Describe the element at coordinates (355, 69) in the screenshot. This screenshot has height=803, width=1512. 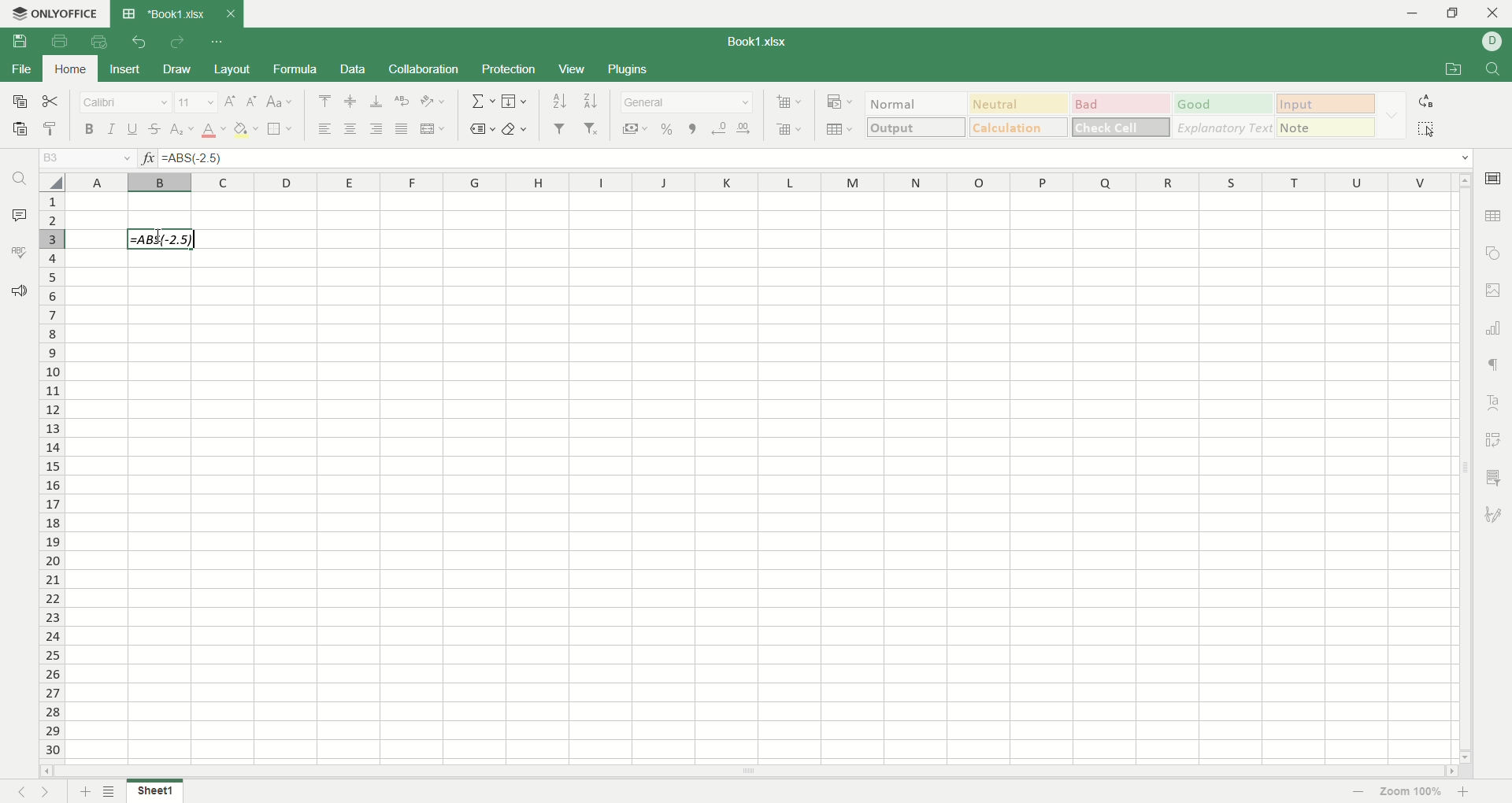
I see `data` at that location.